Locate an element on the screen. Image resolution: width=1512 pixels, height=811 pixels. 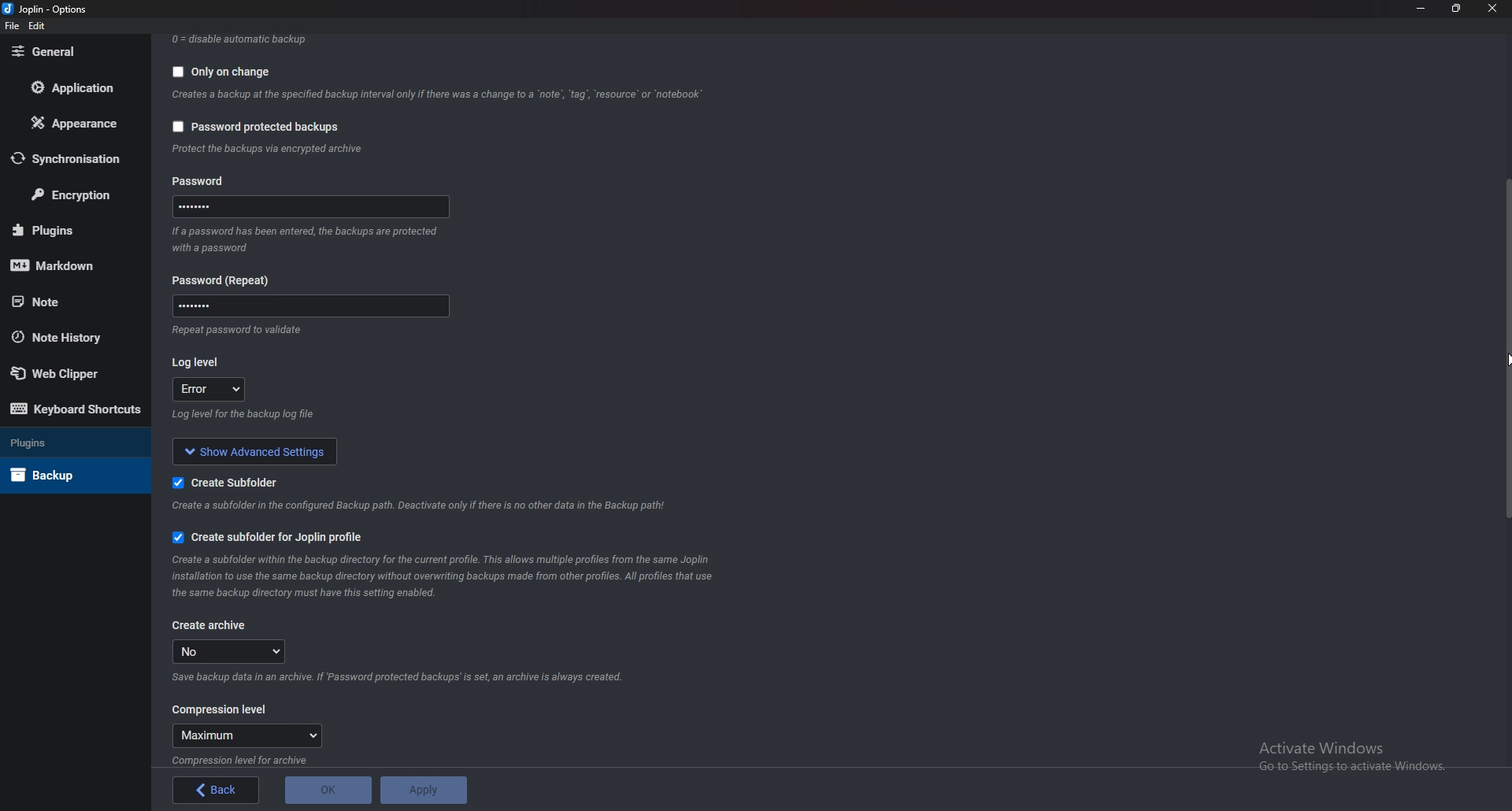
O K is located at coordinates (329, 789).